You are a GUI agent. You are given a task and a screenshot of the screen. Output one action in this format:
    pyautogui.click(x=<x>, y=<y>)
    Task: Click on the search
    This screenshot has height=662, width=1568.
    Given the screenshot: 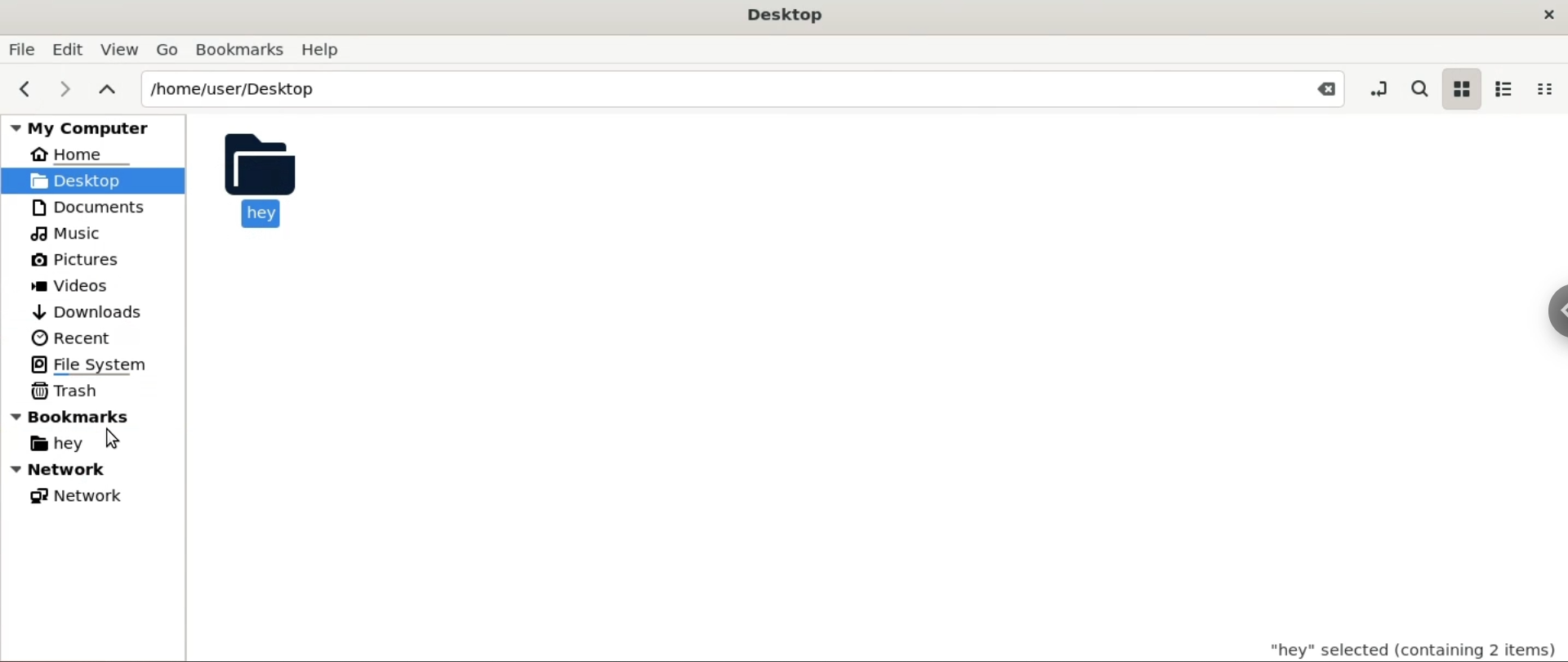 What is the action you would take?
    pyautogui.click(x=1419, y=88)
    